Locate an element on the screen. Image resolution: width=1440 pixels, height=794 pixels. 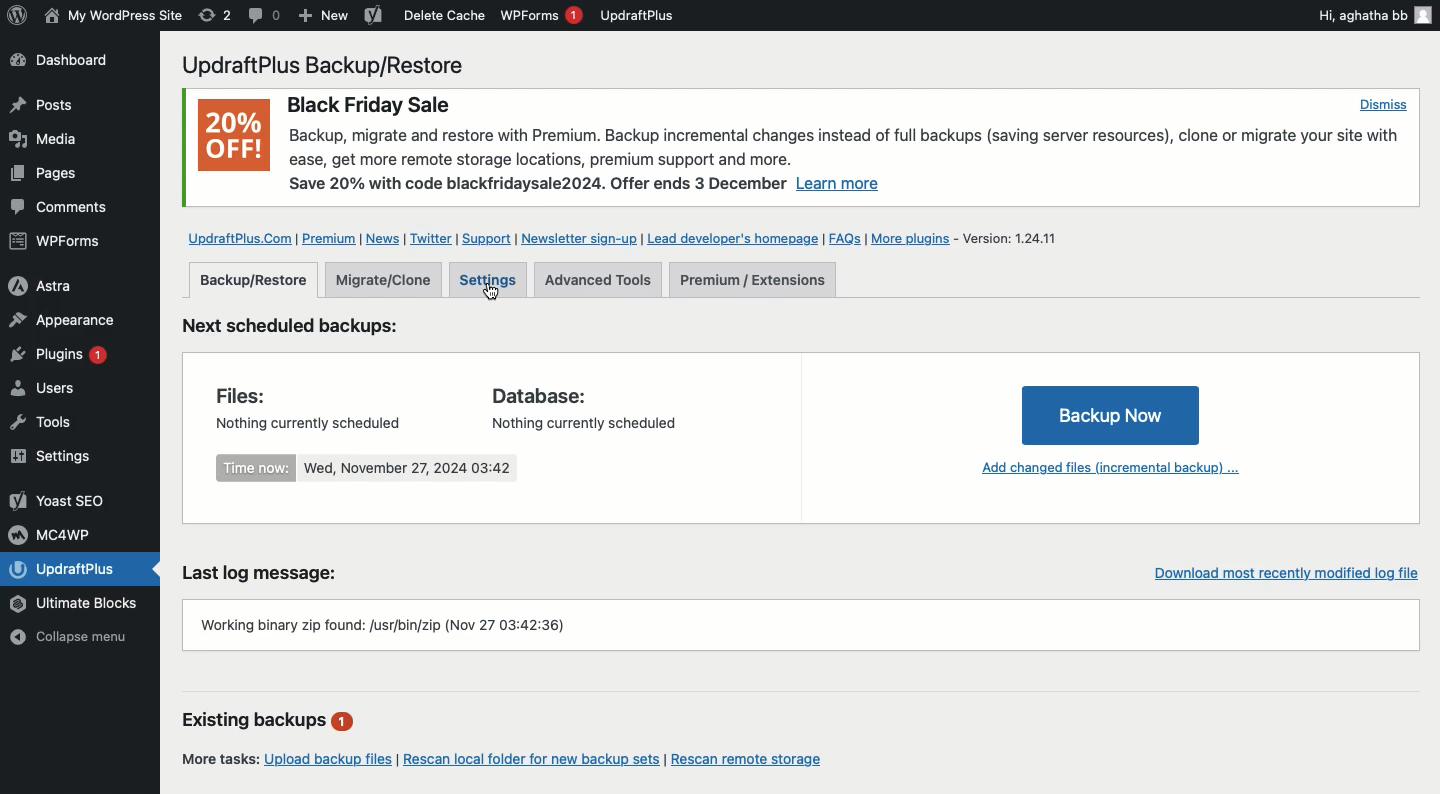
Rescan remote storage is located at coordinates (745, 760).